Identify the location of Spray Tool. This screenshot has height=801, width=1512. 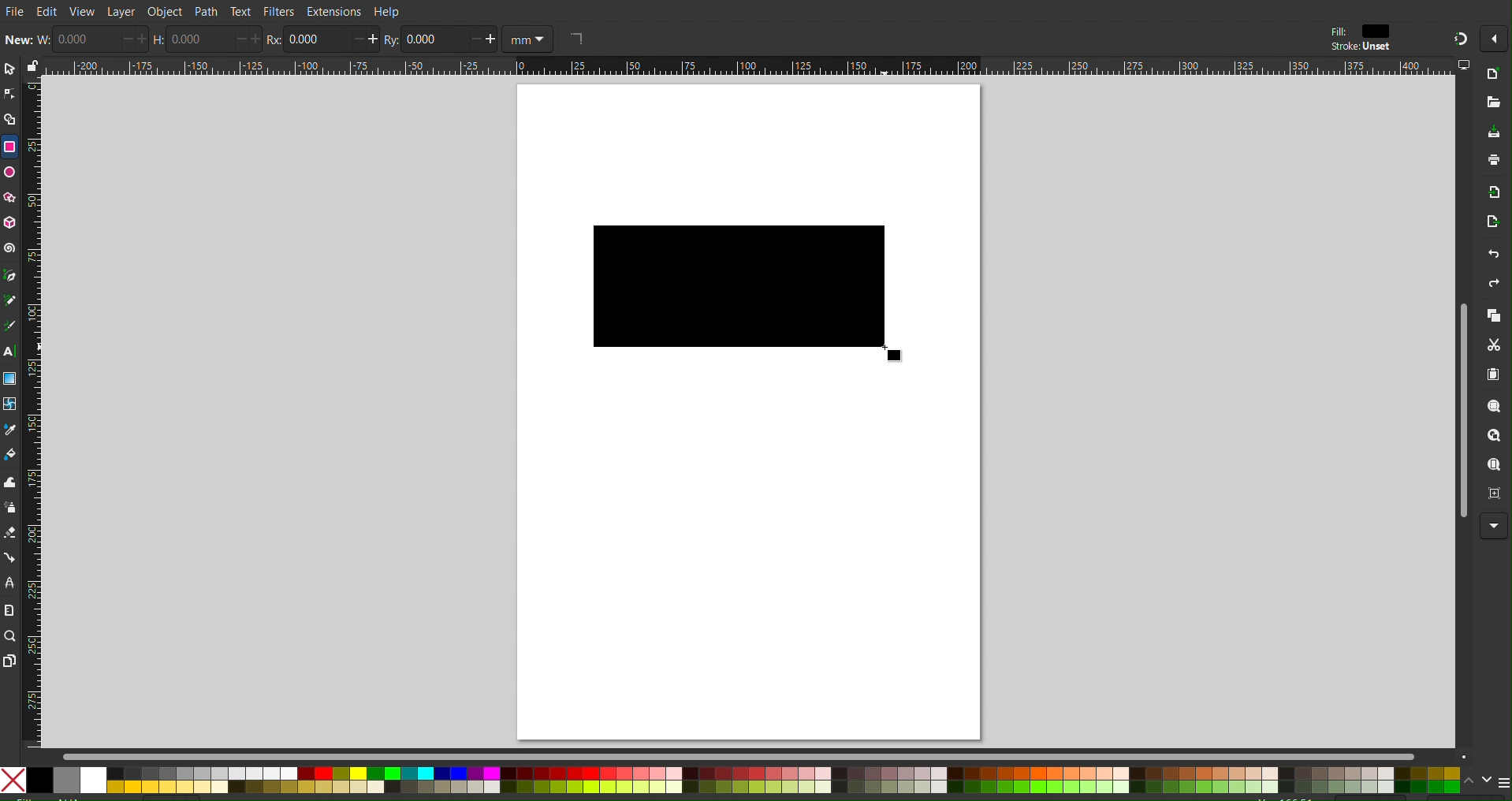
(9, 510).